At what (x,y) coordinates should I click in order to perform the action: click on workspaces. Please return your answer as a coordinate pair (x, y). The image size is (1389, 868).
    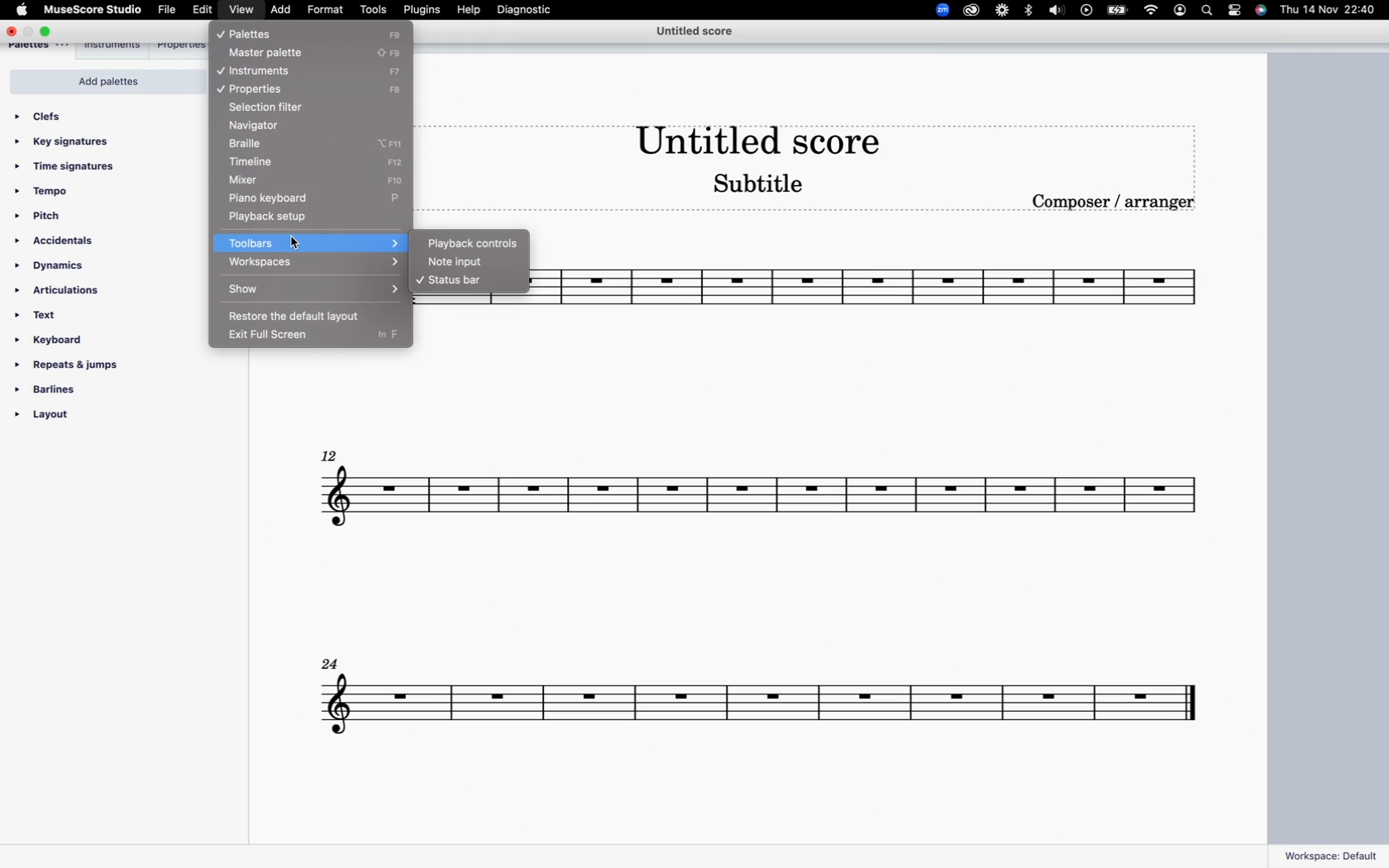
    Looking at the image, I should click on (313, 264).